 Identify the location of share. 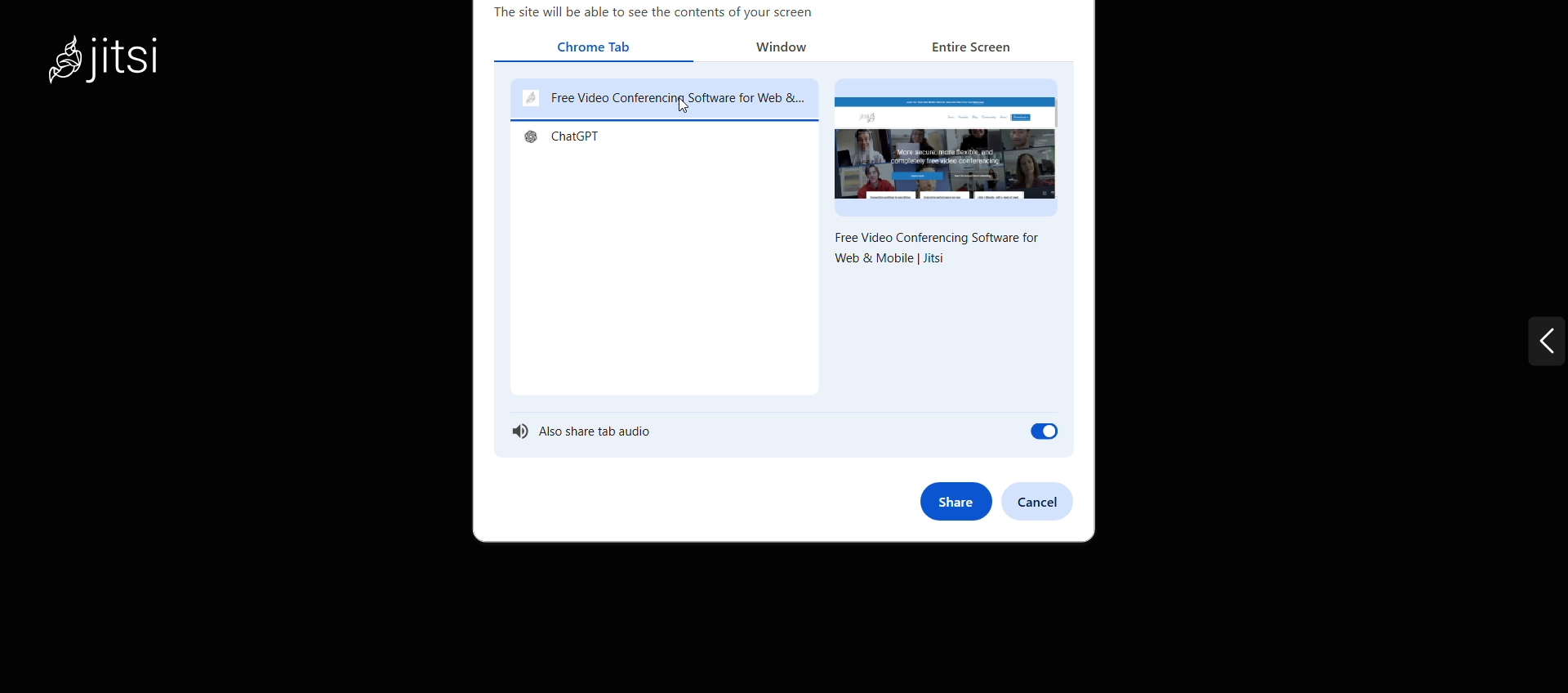
(954, 501).